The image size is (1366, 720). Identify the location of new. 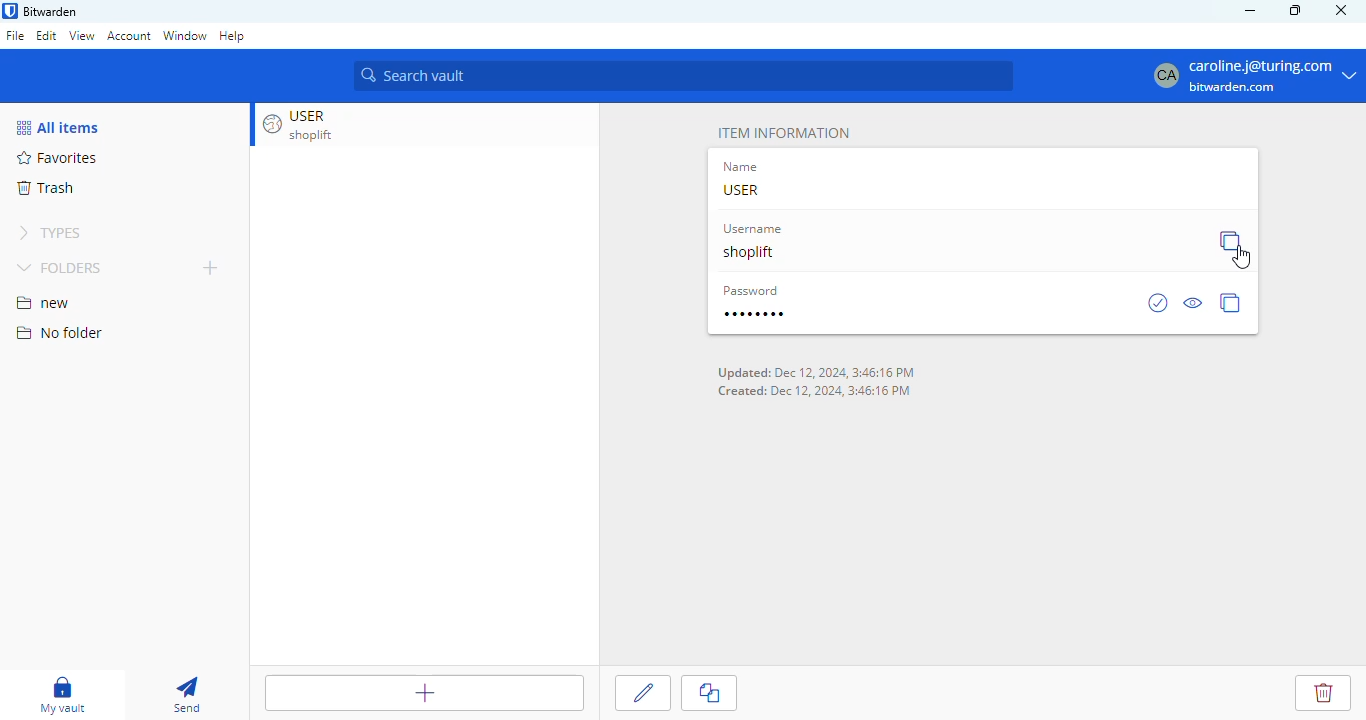
(44, 303).